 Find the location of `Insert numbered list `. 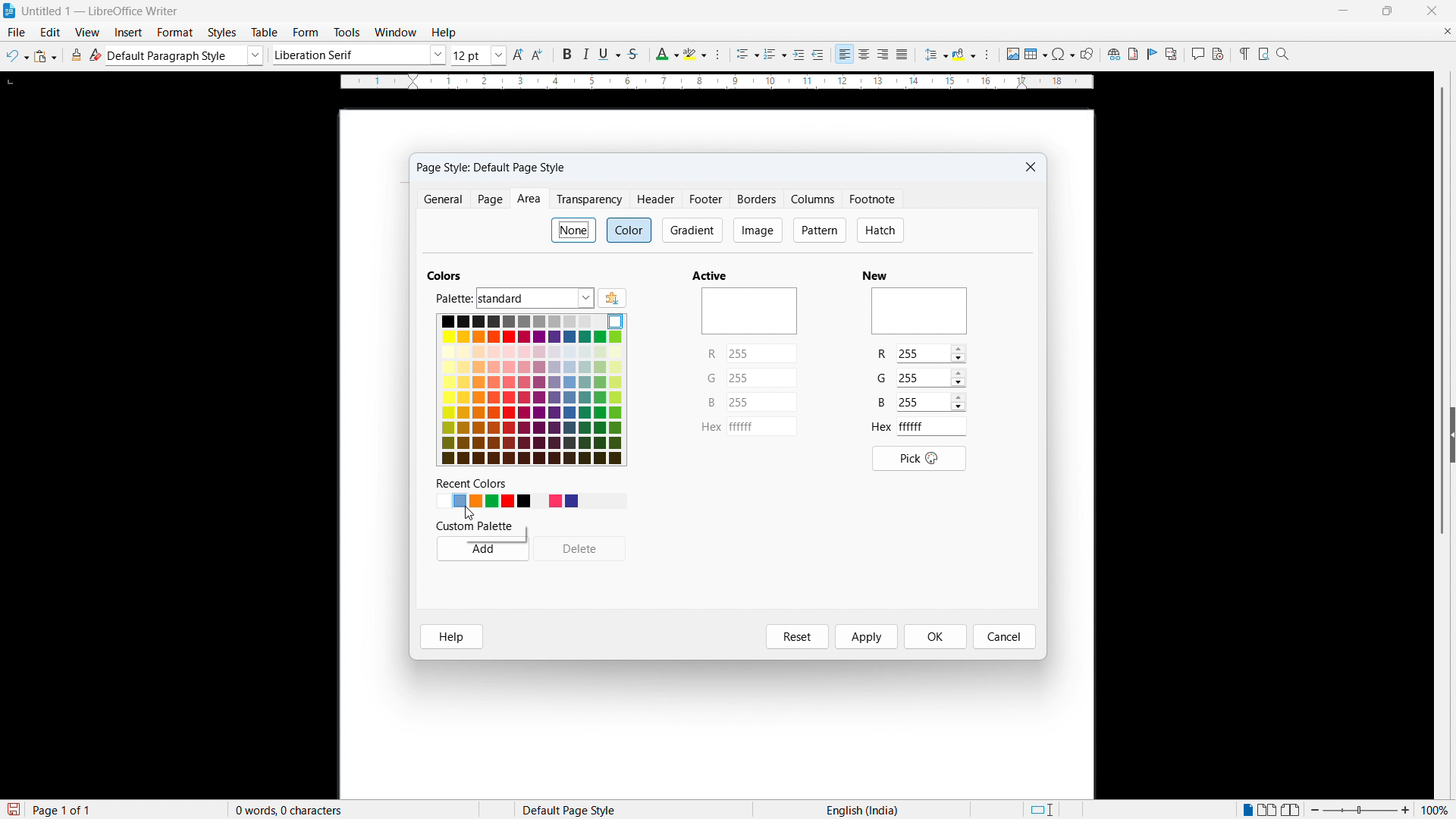

Insert numbered list  is located at coordinates (775, 55).